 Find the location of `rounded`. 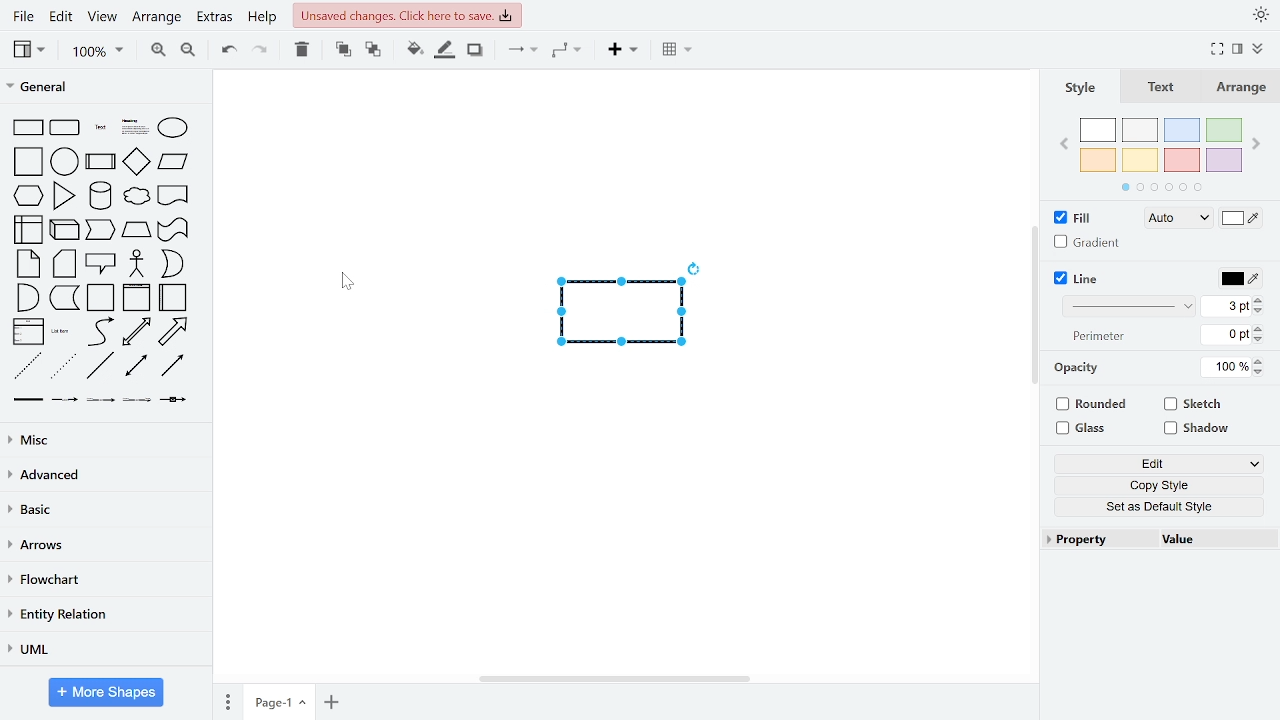

rounded is located at coordinates (1095, 405).